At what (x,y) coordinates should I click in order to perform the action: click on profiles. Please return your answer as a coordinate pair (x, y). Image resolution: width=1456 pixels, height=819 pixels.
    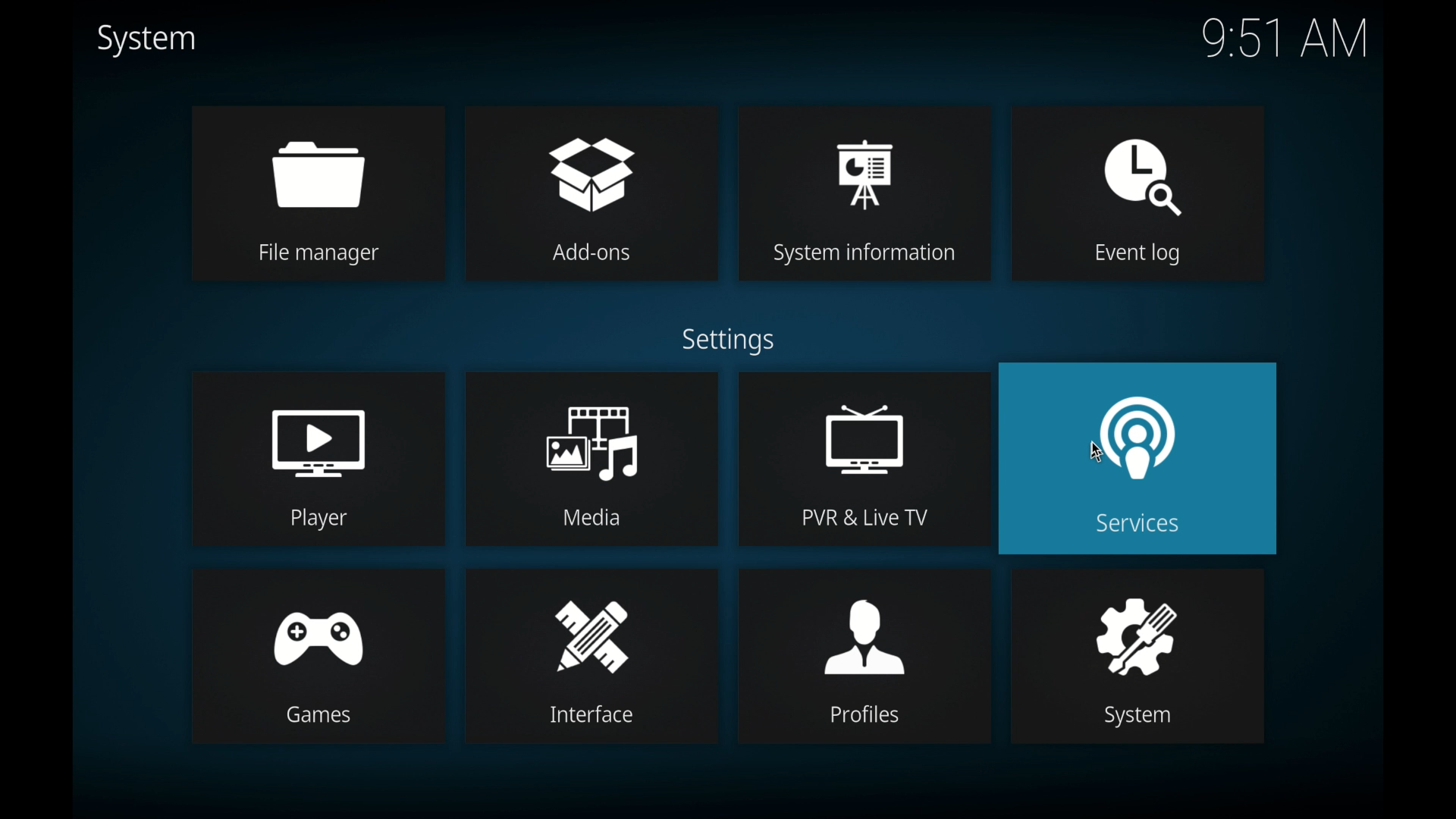
    Looking at the image, I should click on (865, 657).